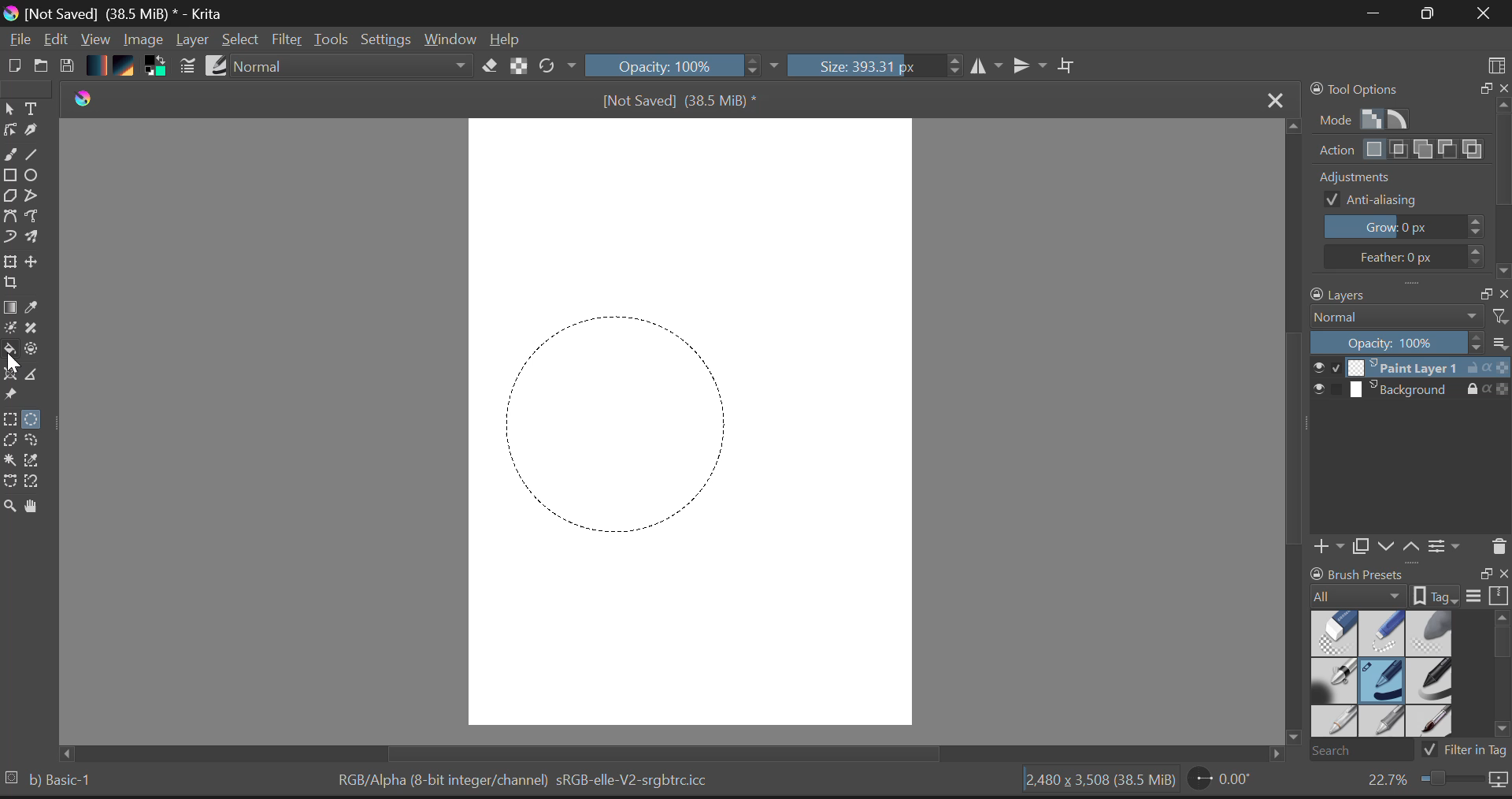  What do you see at coordinates (1371, 14) in the screenshot?
I see `Restore Down` at bounding box center [1371, 14].